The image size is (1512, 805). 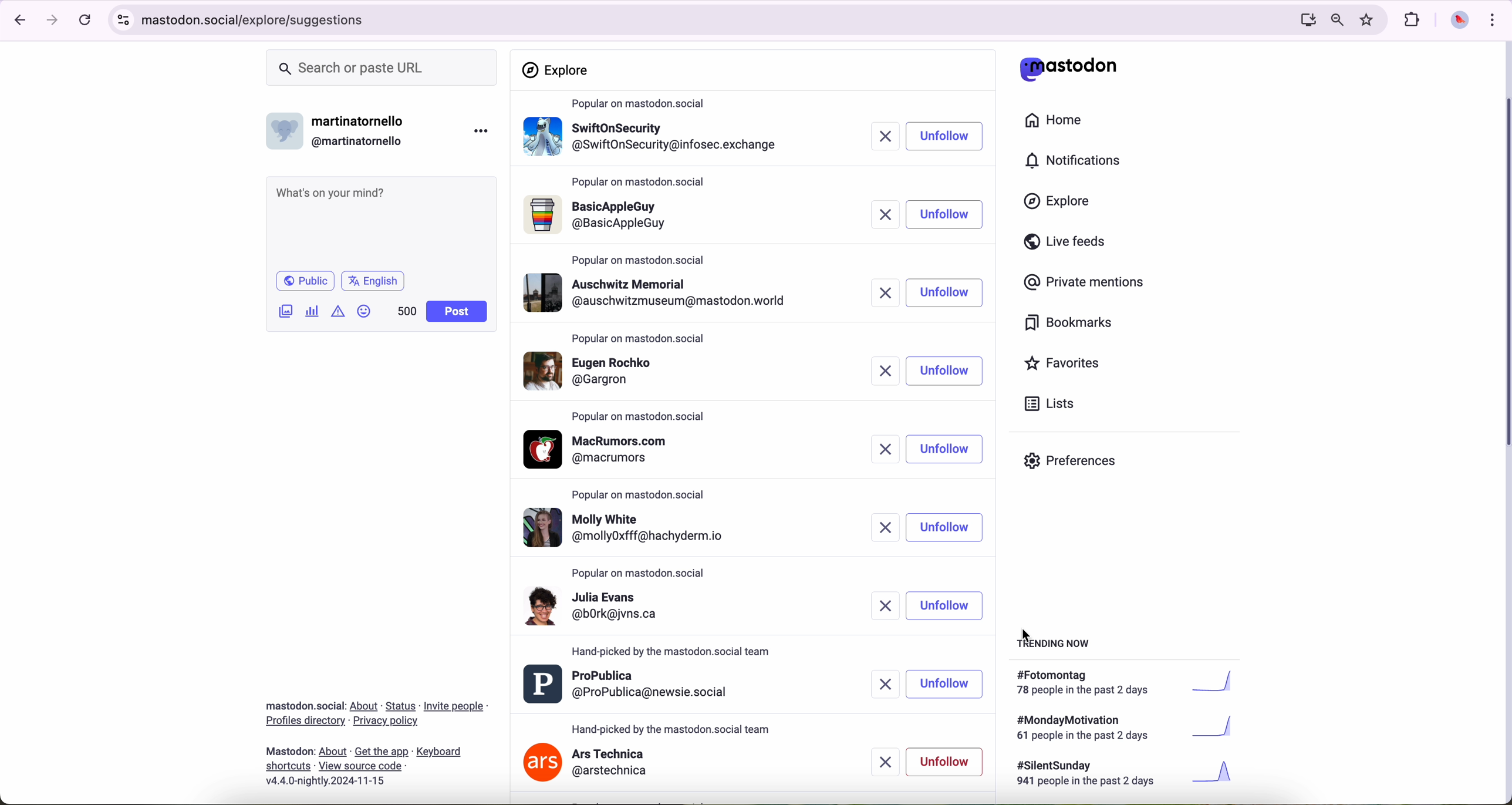 What do you see at coordinates (484, 130) in the screenshot?
I see `more options` at bounding box center [484, 130].